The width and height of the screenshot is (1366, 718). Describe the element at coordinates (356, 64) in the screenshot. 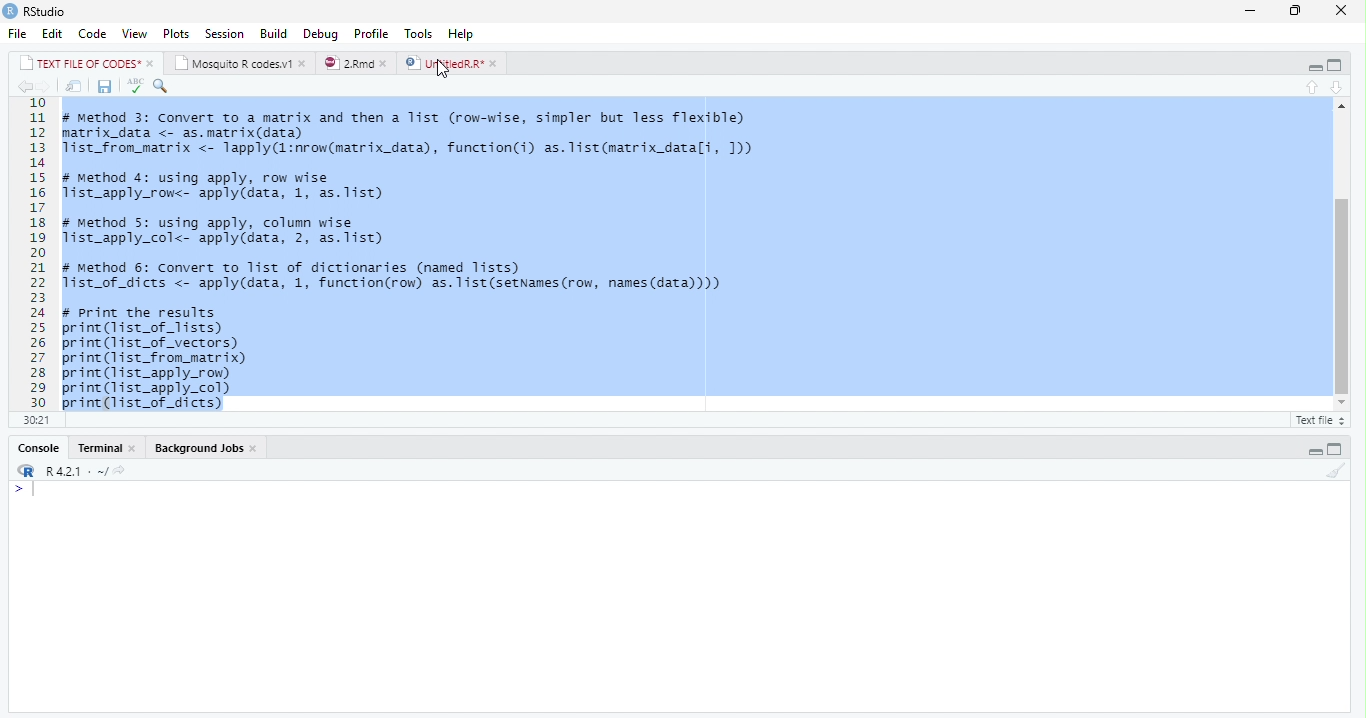

I see `2.Rmd` at that location.